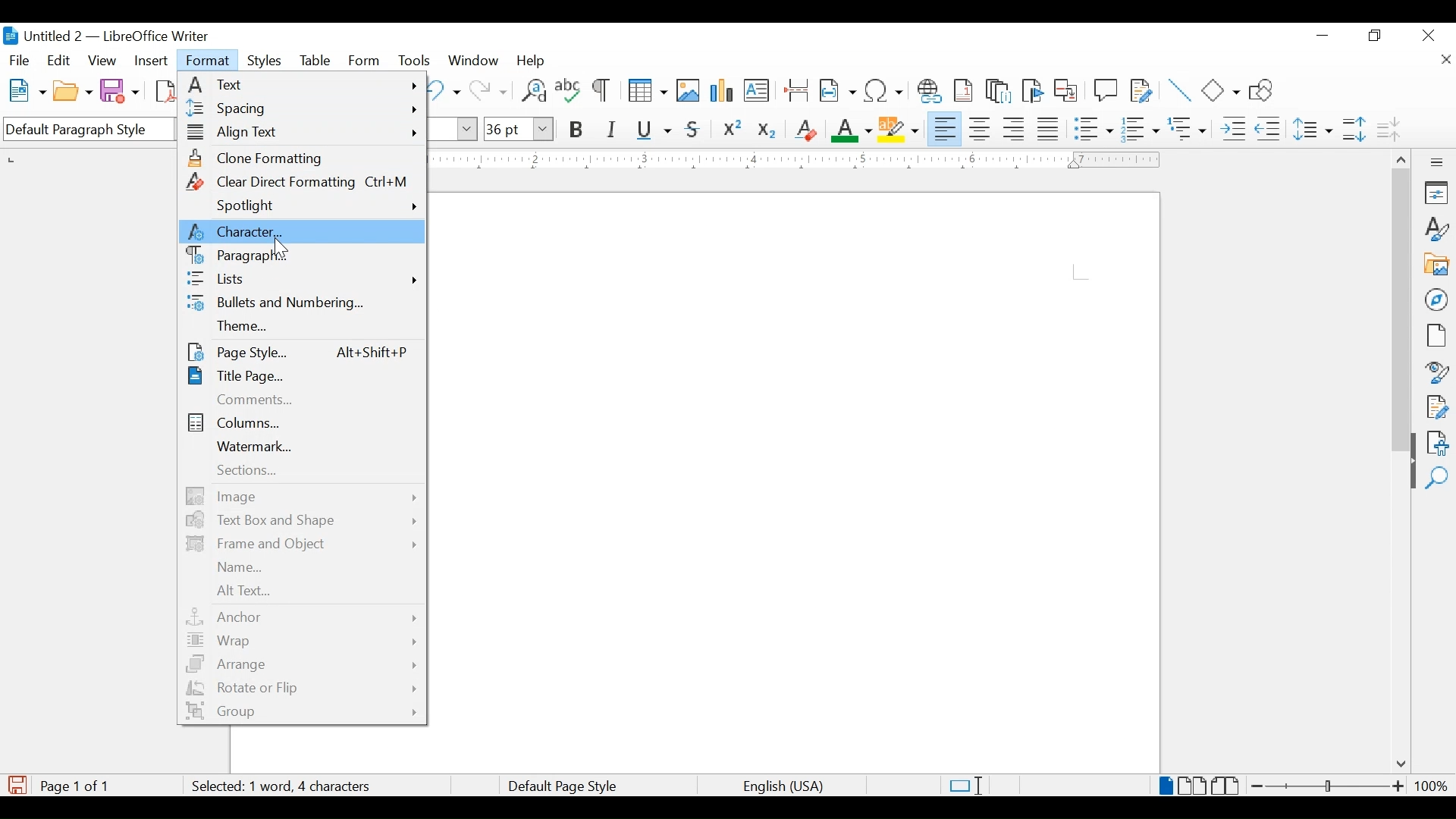  I want to click on paragraphs, so click(237, 255).